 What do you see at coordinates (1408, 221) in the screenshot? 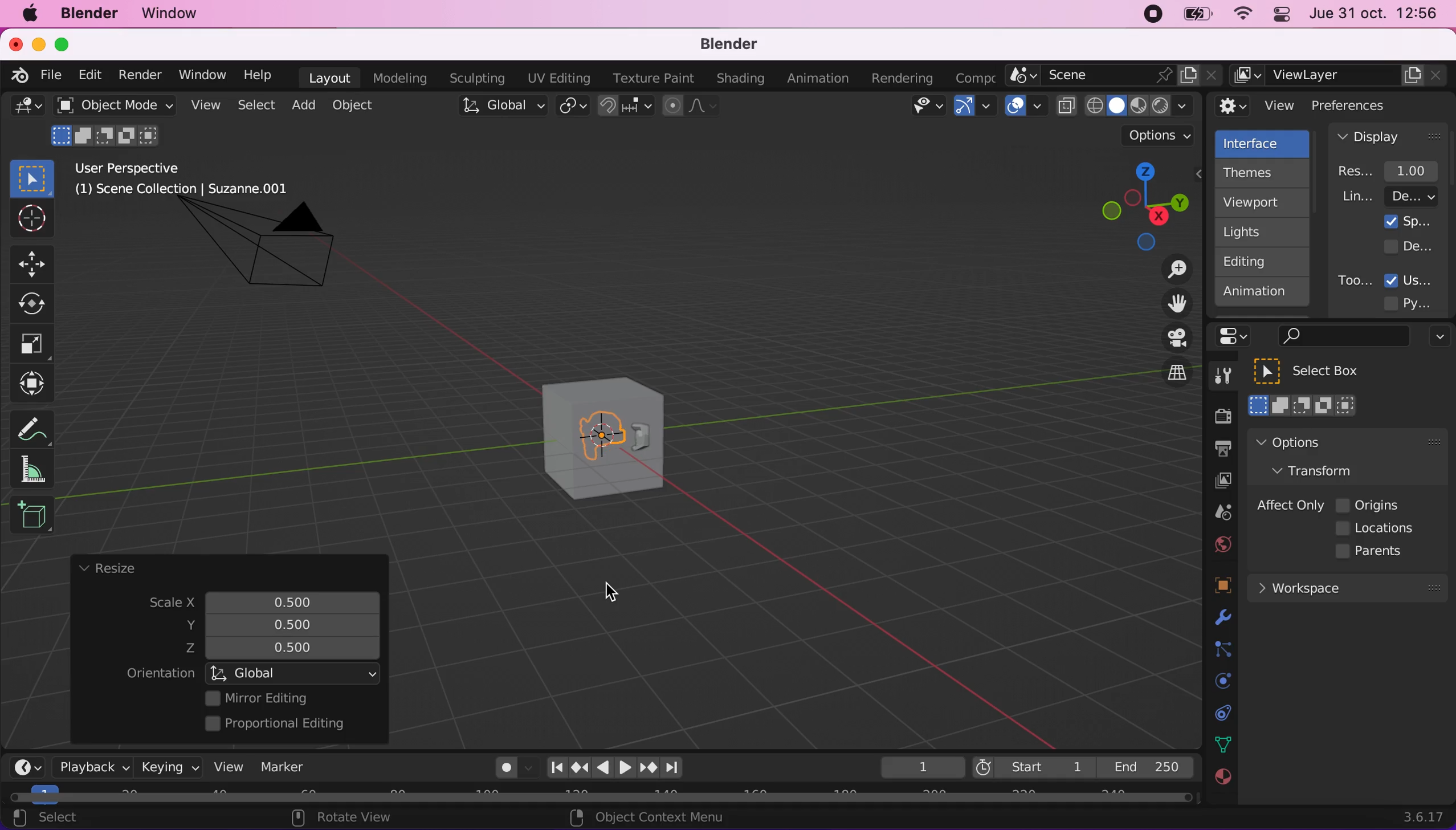
I see `splash screen` at bounding box center [1408, 221].